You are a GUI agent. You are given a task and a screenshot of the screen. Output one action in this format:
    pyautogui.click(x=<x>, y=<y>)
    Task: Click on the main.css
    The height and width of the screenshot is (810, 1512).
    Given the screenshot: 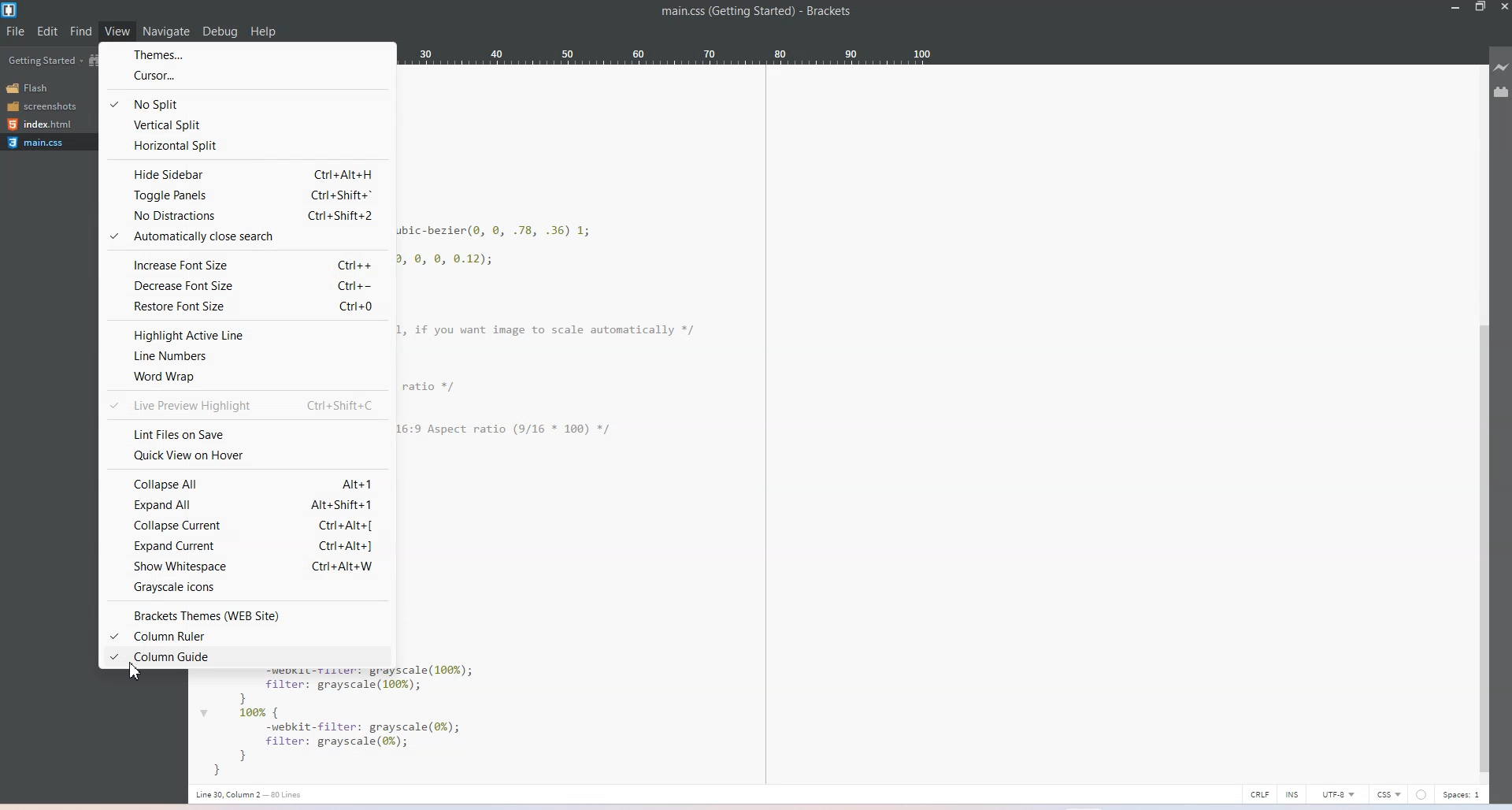 What is the action you would take?
    pyautogui.click(x=47, y=144)
    